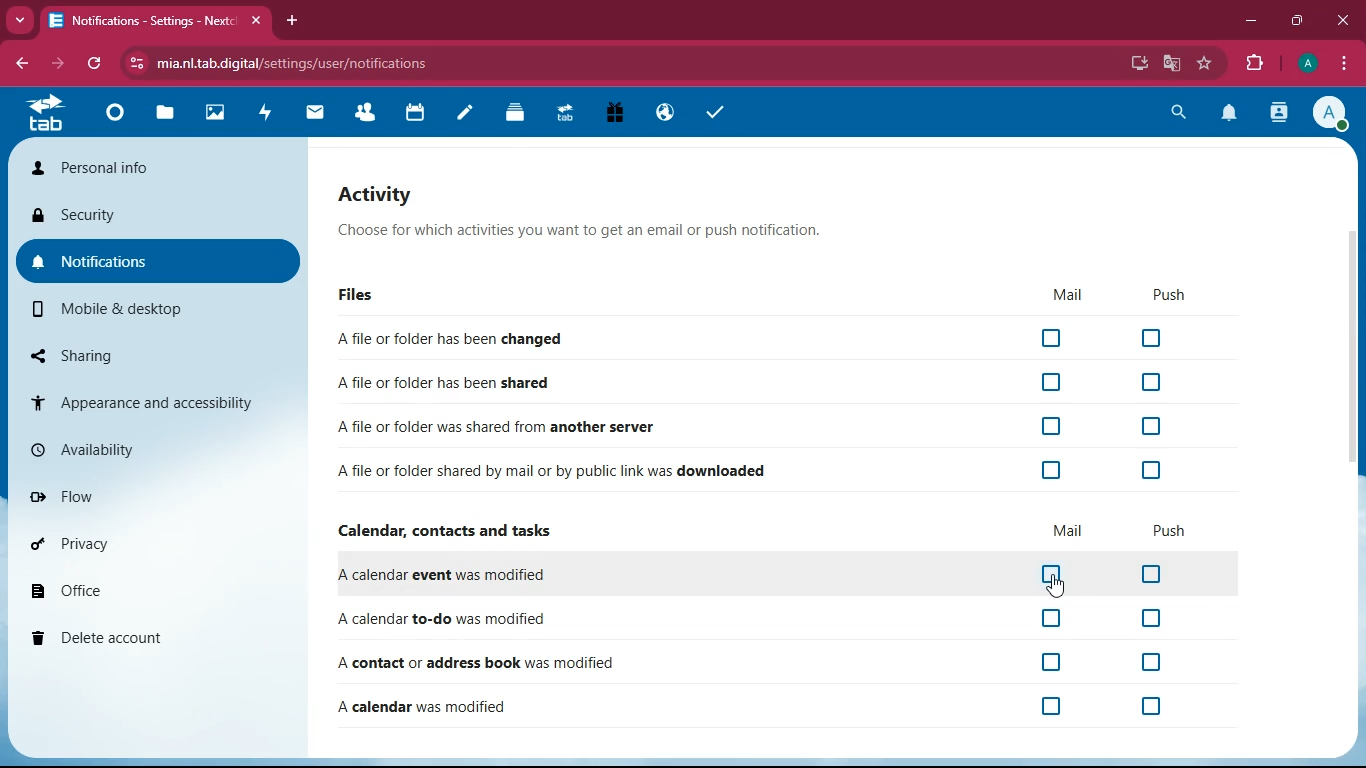  What do you see at coordinates (1308, 64) in the screenshot?
I see `profile` at bounding box center [1308, 64].